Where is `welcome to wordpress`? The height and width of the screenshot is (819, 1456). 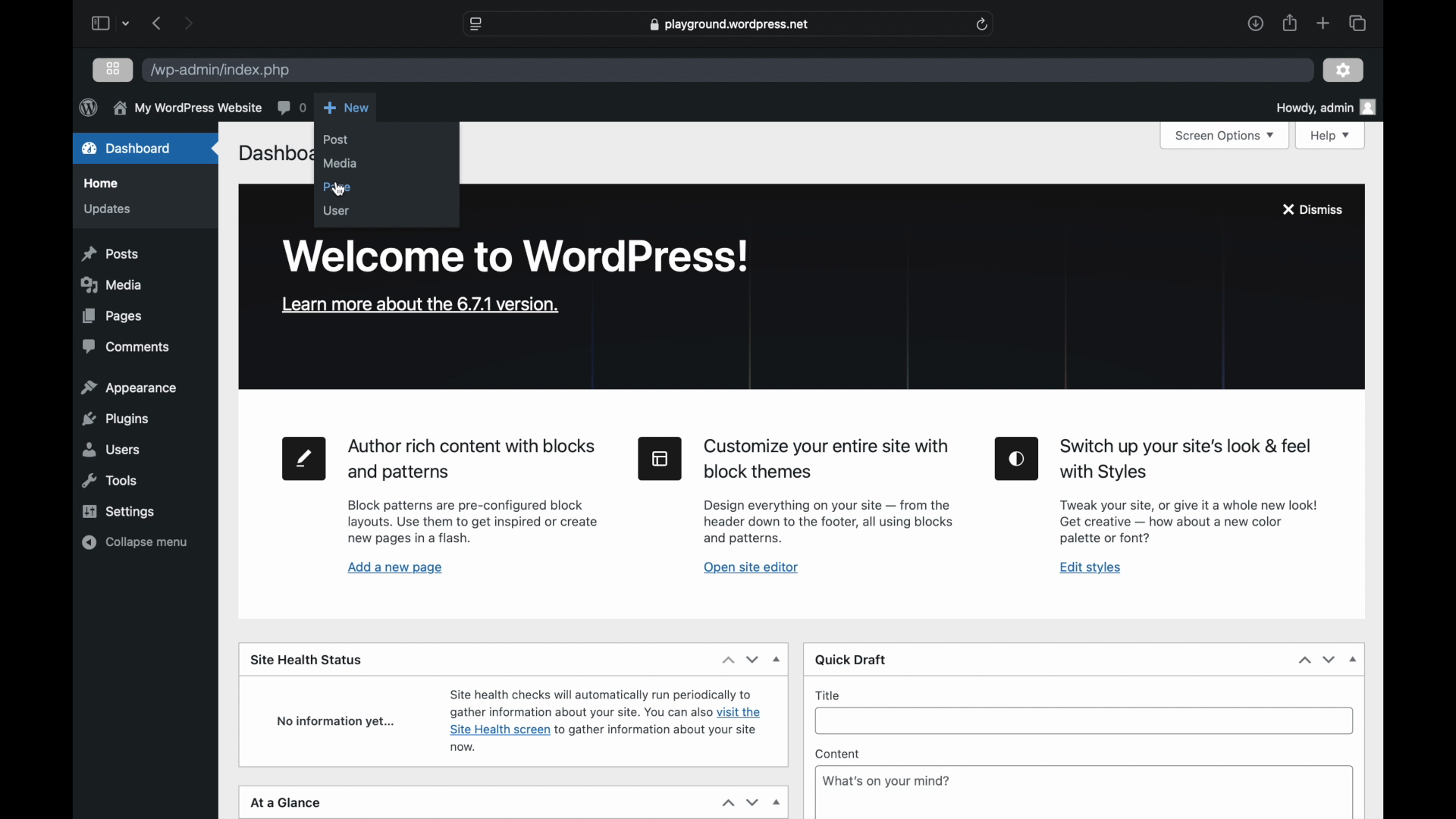
welcome to wordpress is located at coordinates (516, 257).